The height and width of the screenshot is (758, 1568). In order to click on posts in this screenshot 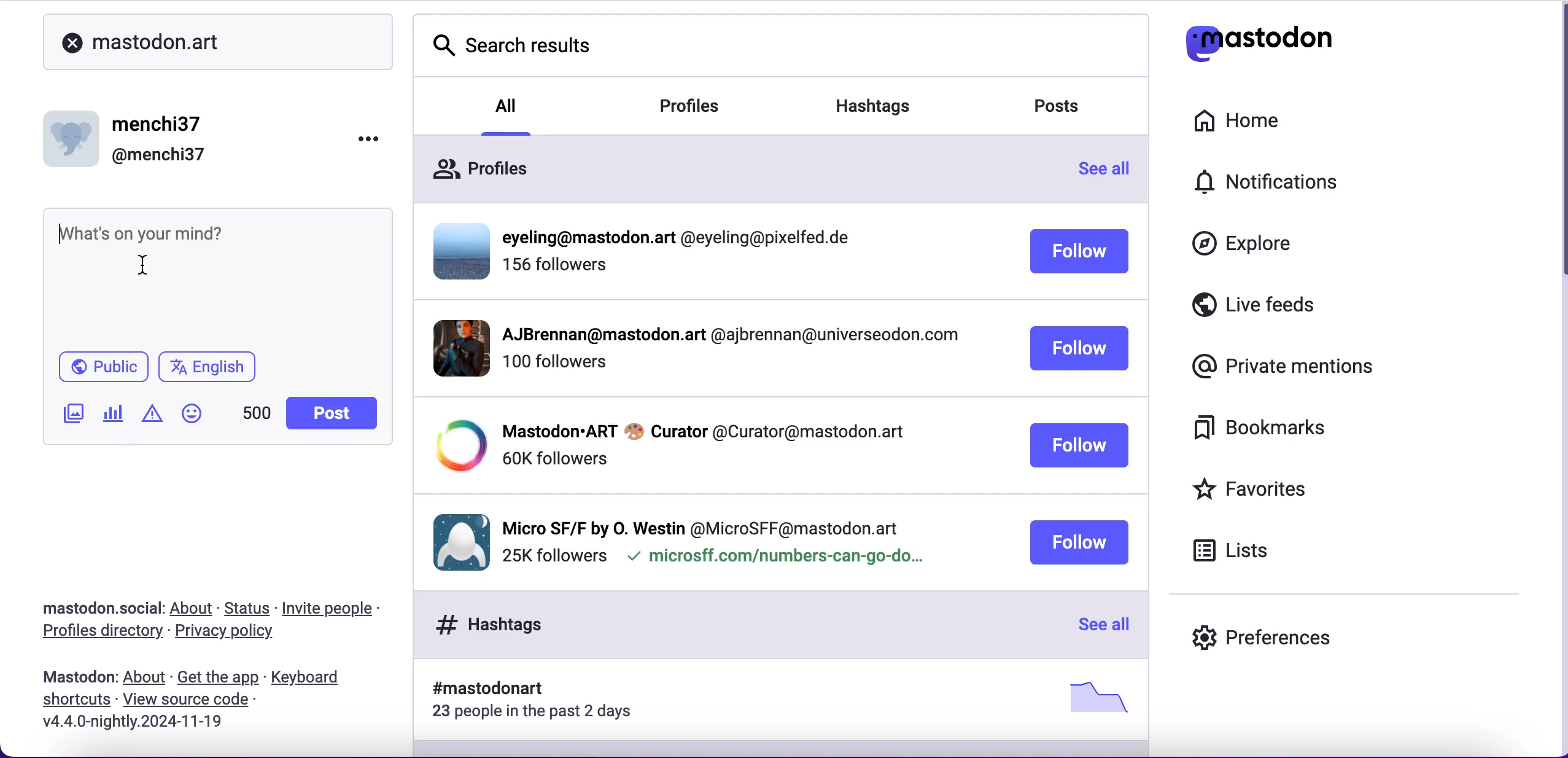, I will do `click(1068, 109)`.